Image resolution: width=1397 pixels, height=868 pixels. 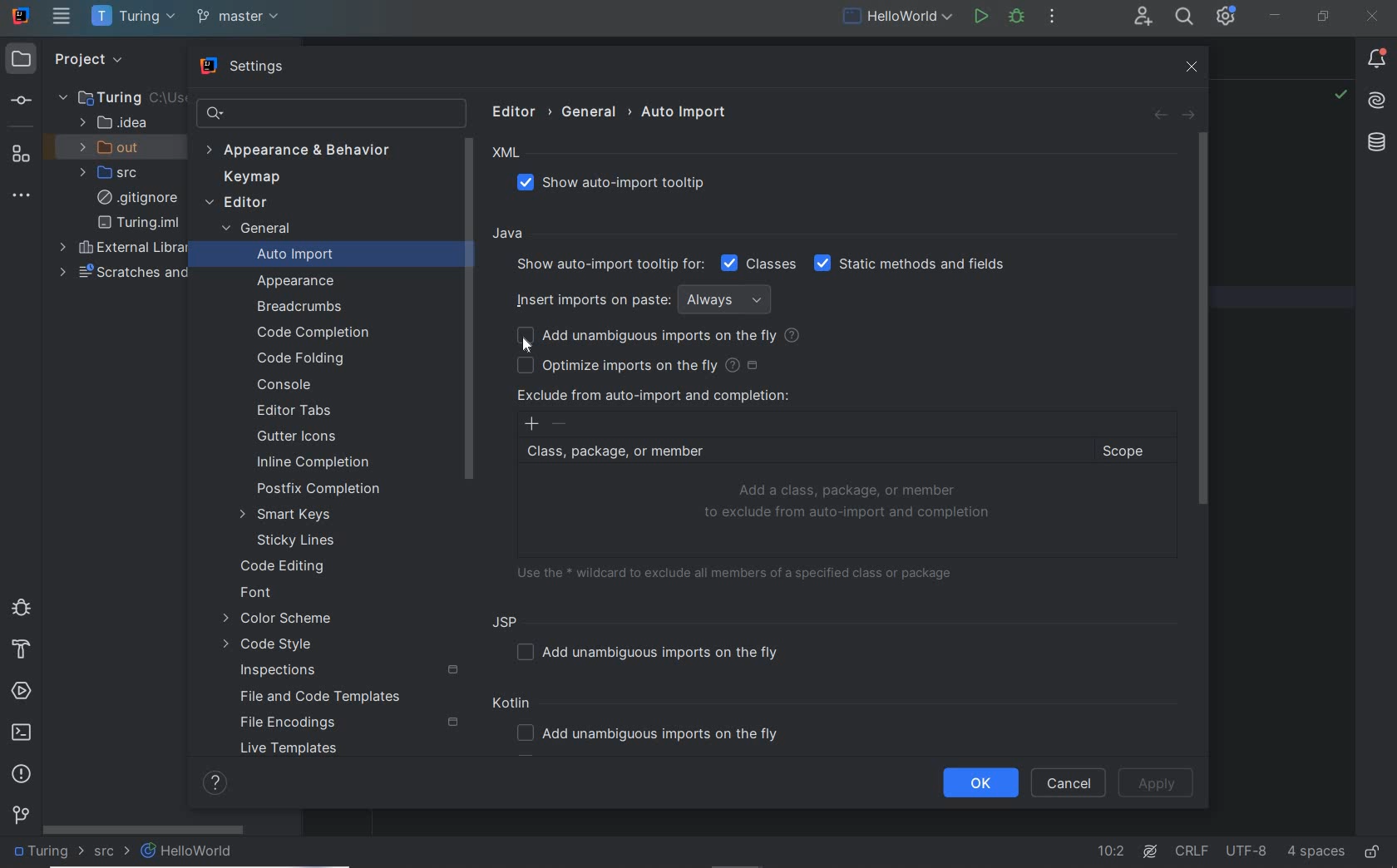 What do you see at coordinates (132, 17) in the screenshot?
I see `Turing(project name)` at bounding box center [132, 17].